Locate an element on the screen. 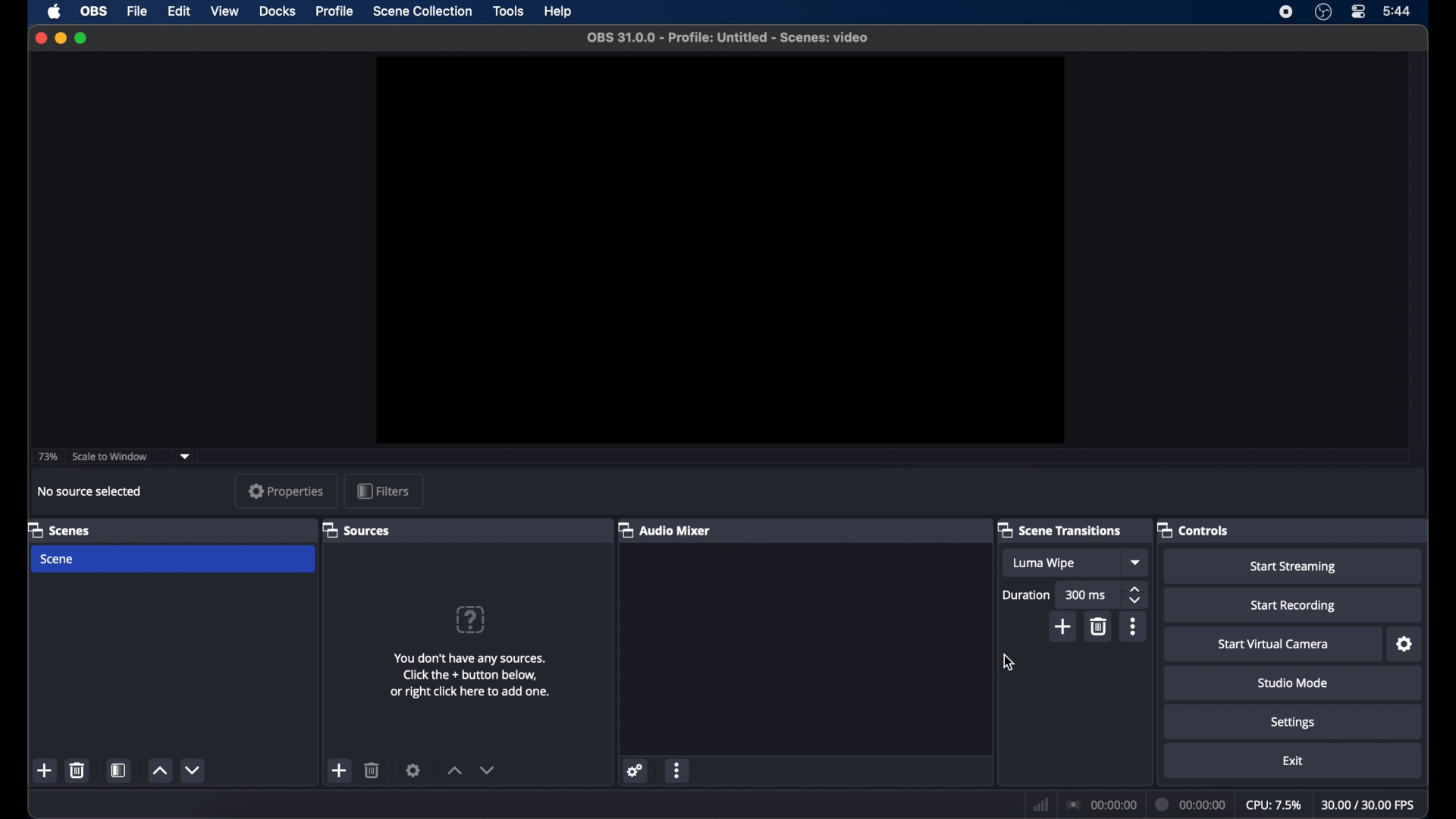 Image resolution: width=1456 pixels, height=819 pixels. time is located at coordinates (1398, 12).